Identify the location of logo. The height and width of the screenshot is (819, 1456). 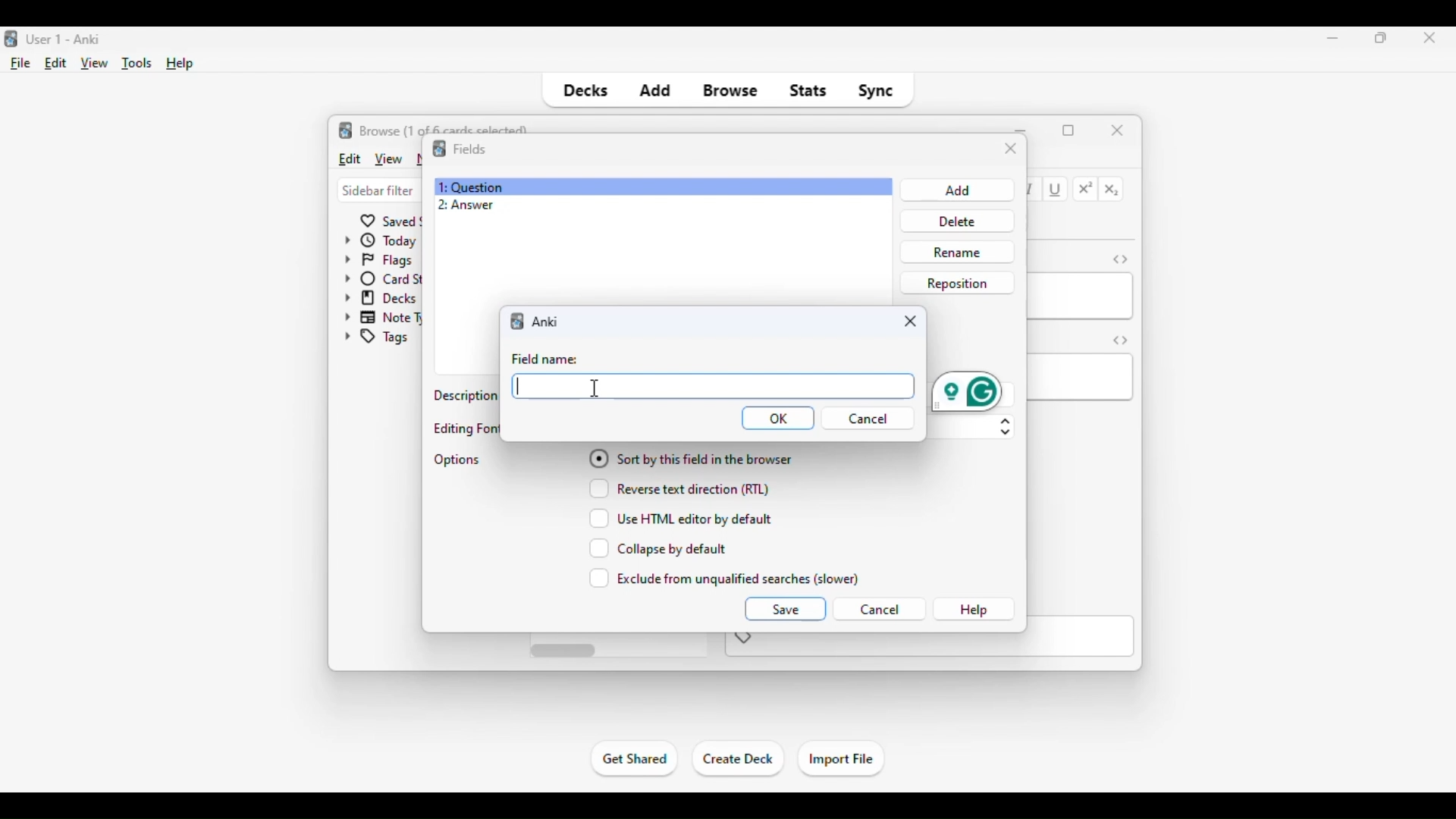
(438, 149).